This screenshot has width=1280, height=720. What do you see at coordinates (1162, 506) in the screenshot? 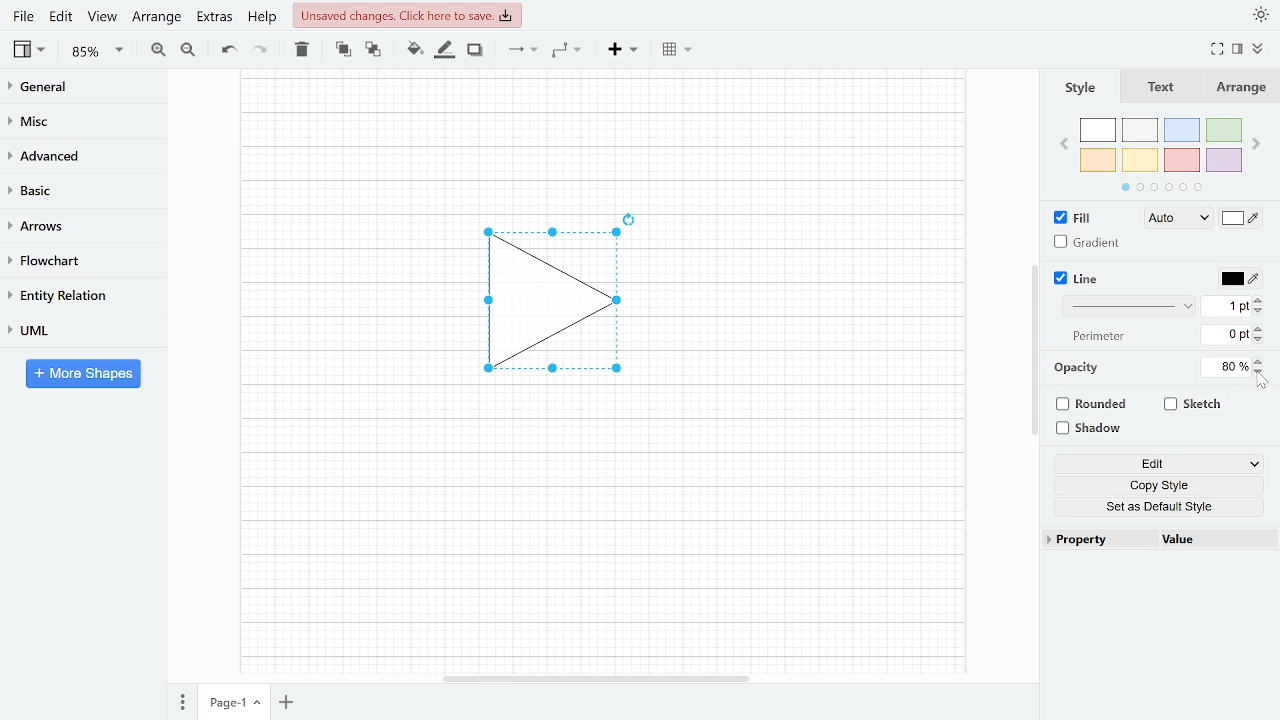
I see `Set as default style` at bounding box center [1162, 506].